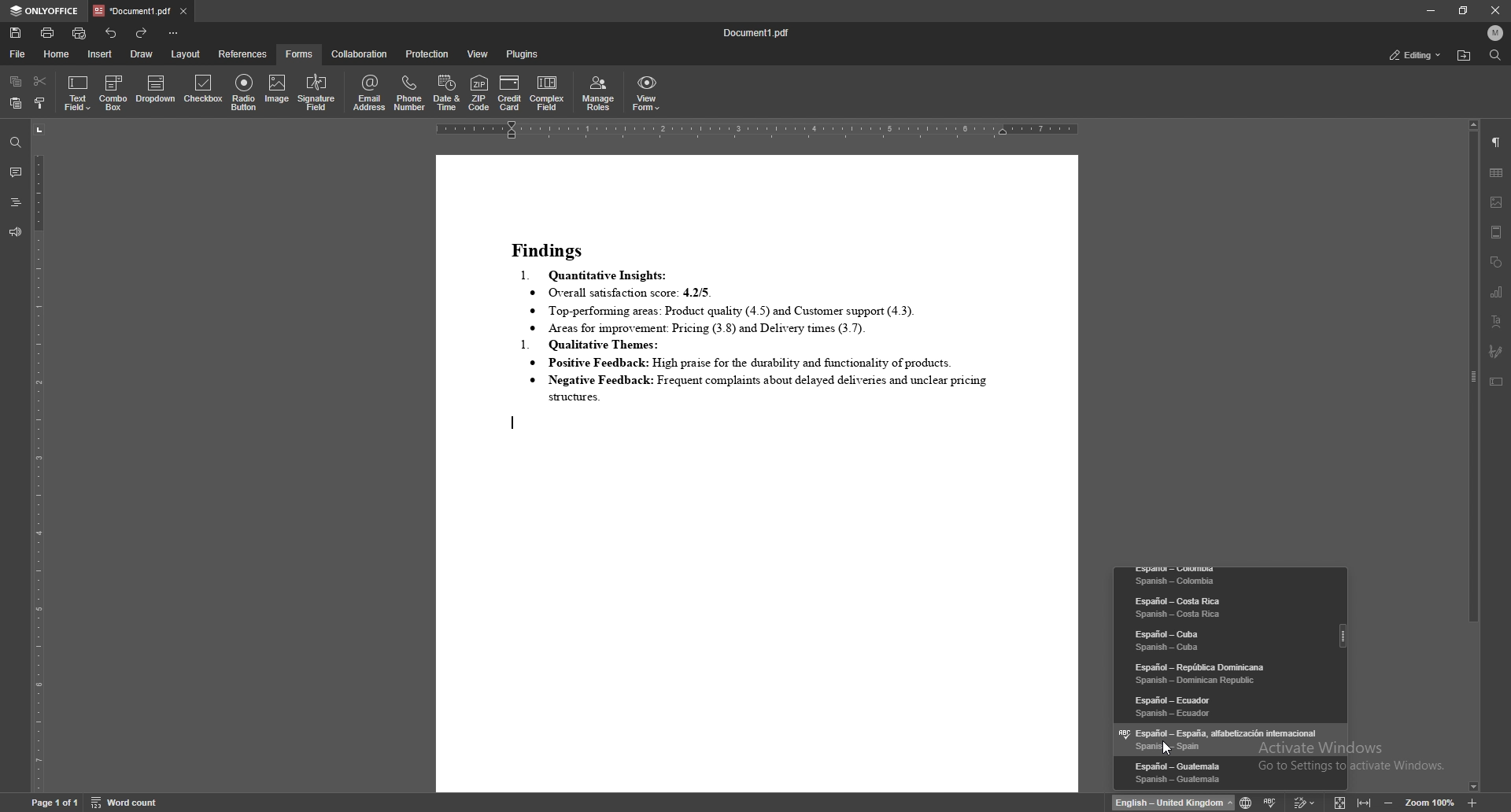 Image resolution: width=1511 pixels, height=812 pixels. Describe the element at coordinates (1495, 350) in the screenshot. I see `signature field` at that location.